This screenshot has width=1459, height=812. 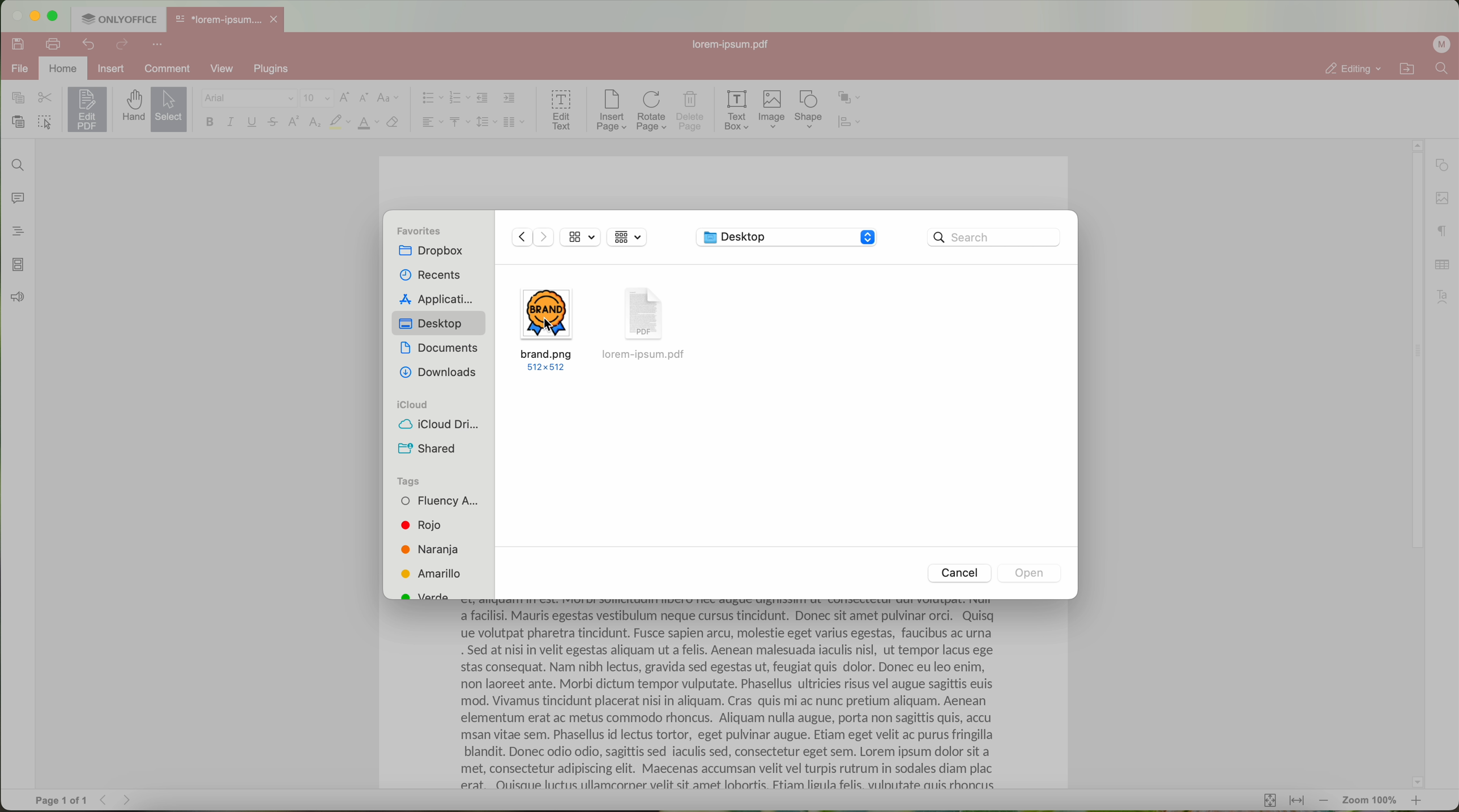 I want to click on Desktop, so click(x=434, y=324).